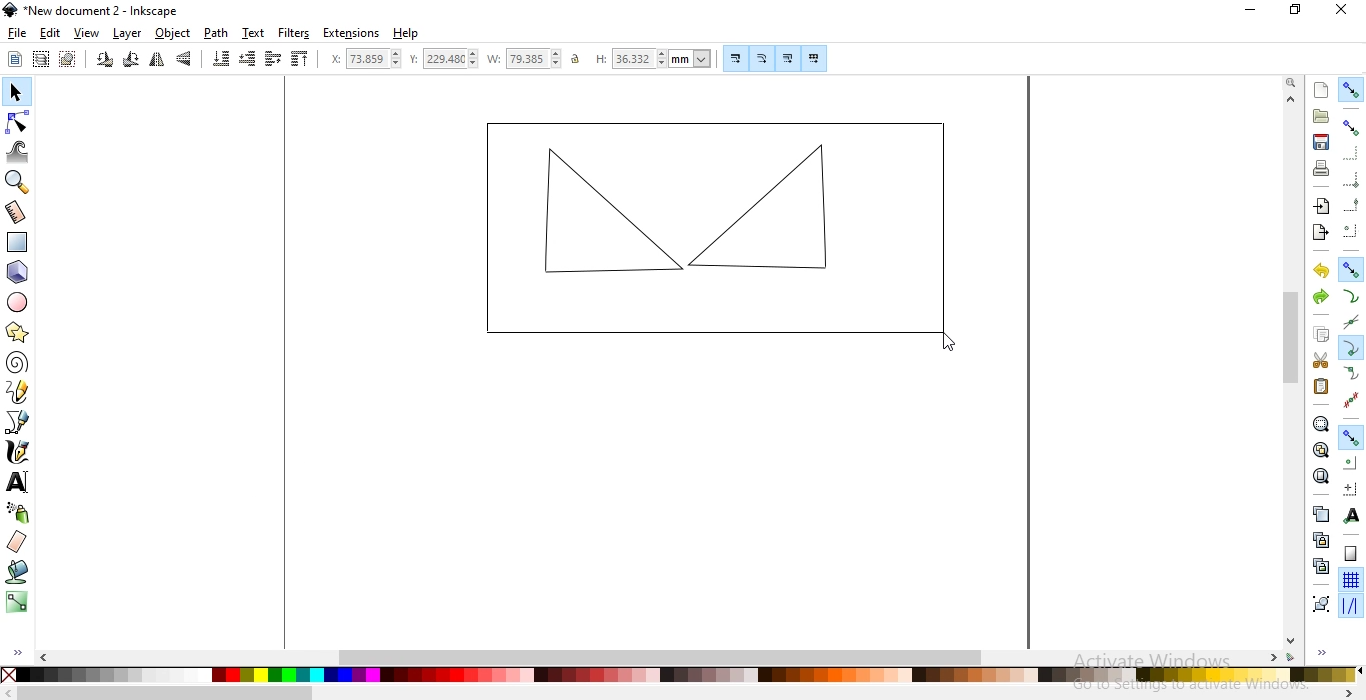  What do you see at coordinates (19, 304) in the screenshot?
I see `create circles, arcs and ellipses` at bounding box center [19, 304].